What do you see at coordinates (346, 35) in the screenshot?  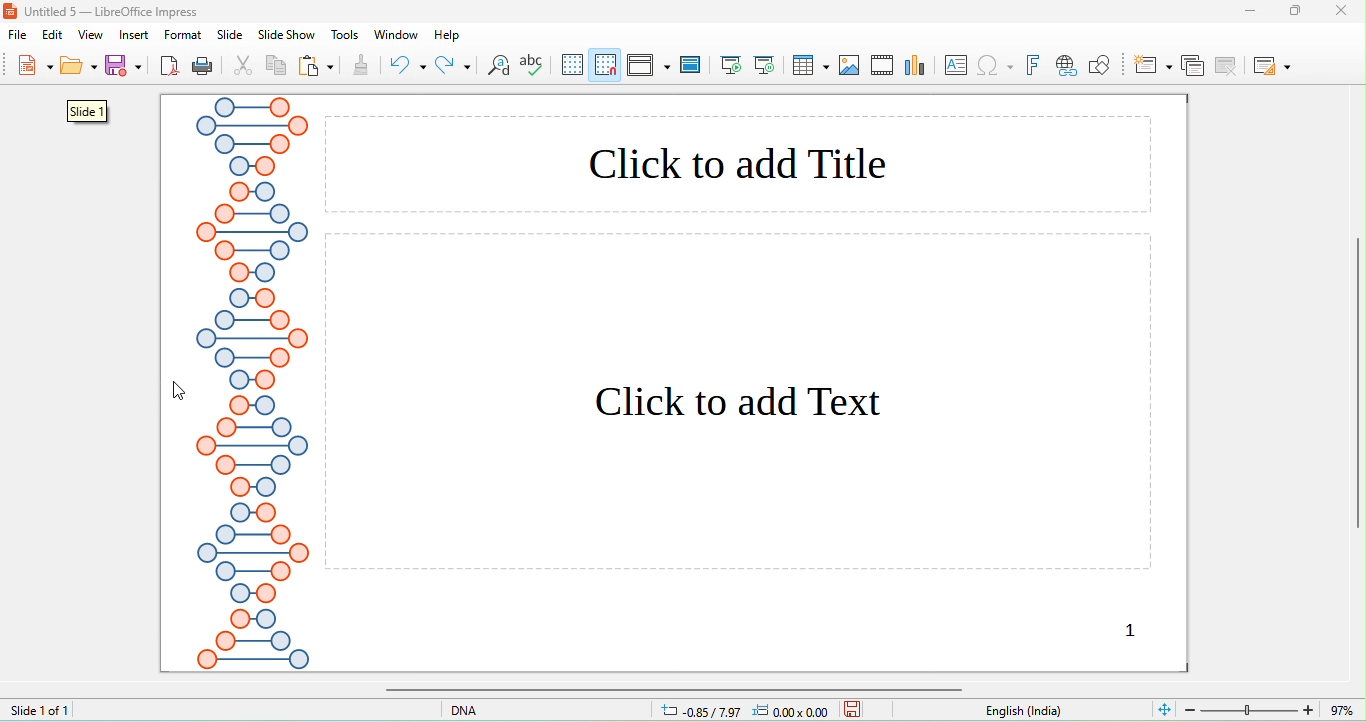 I see `tools` at bounding box center [346, 35].